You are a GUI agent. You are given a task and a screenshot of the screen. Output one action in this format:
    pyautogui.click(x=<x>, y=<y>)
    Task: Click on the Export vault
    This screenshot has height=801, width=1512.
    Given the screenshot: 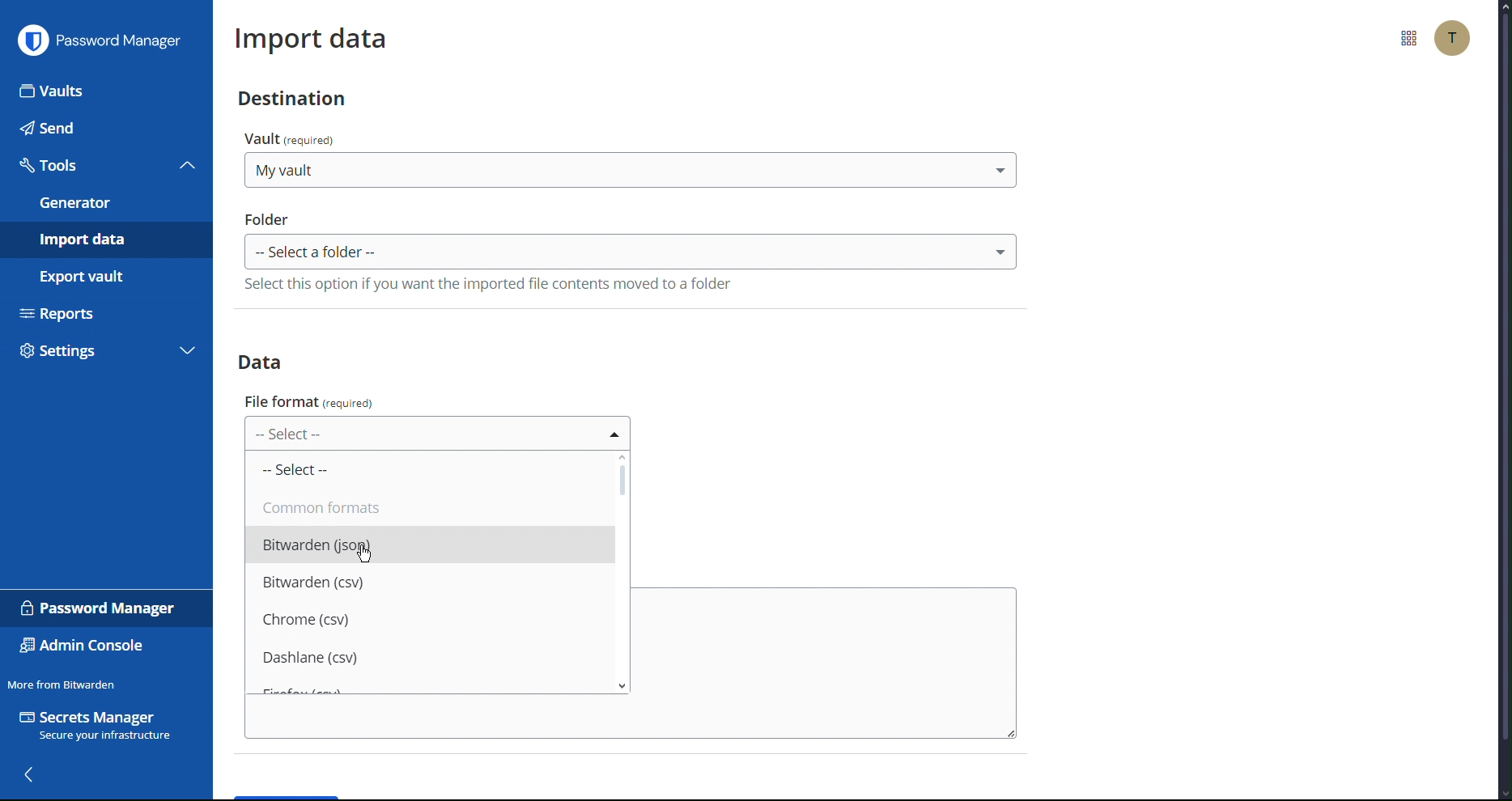 What is the action you would take?
    pyautogui.click(x=100, y=276)
    